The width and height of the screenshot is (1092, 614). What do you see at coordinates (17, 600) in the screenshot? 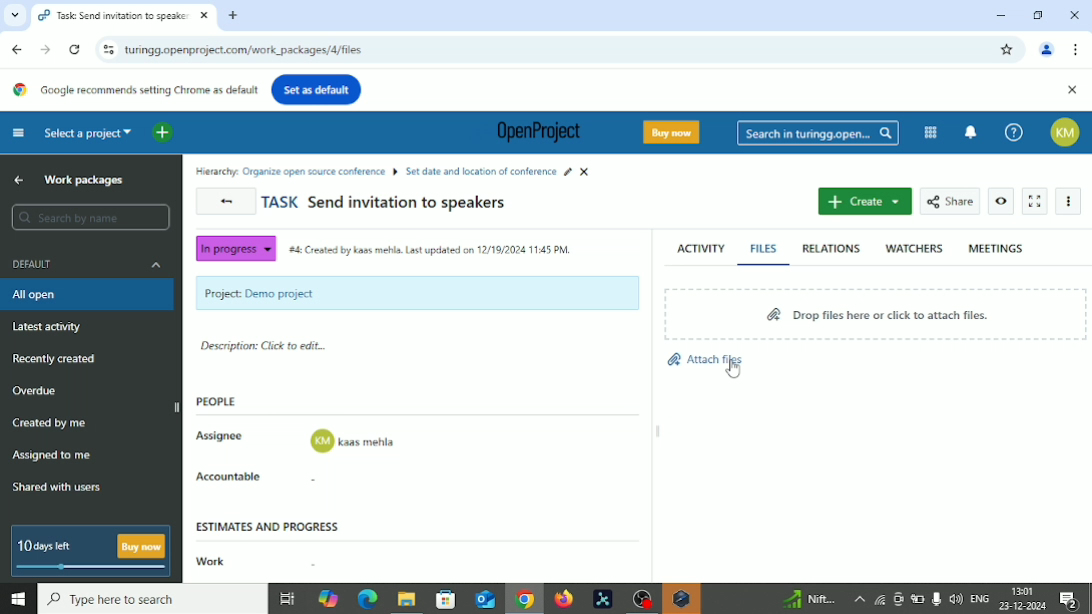
I see `Windows` at bounding box center [17, 600].